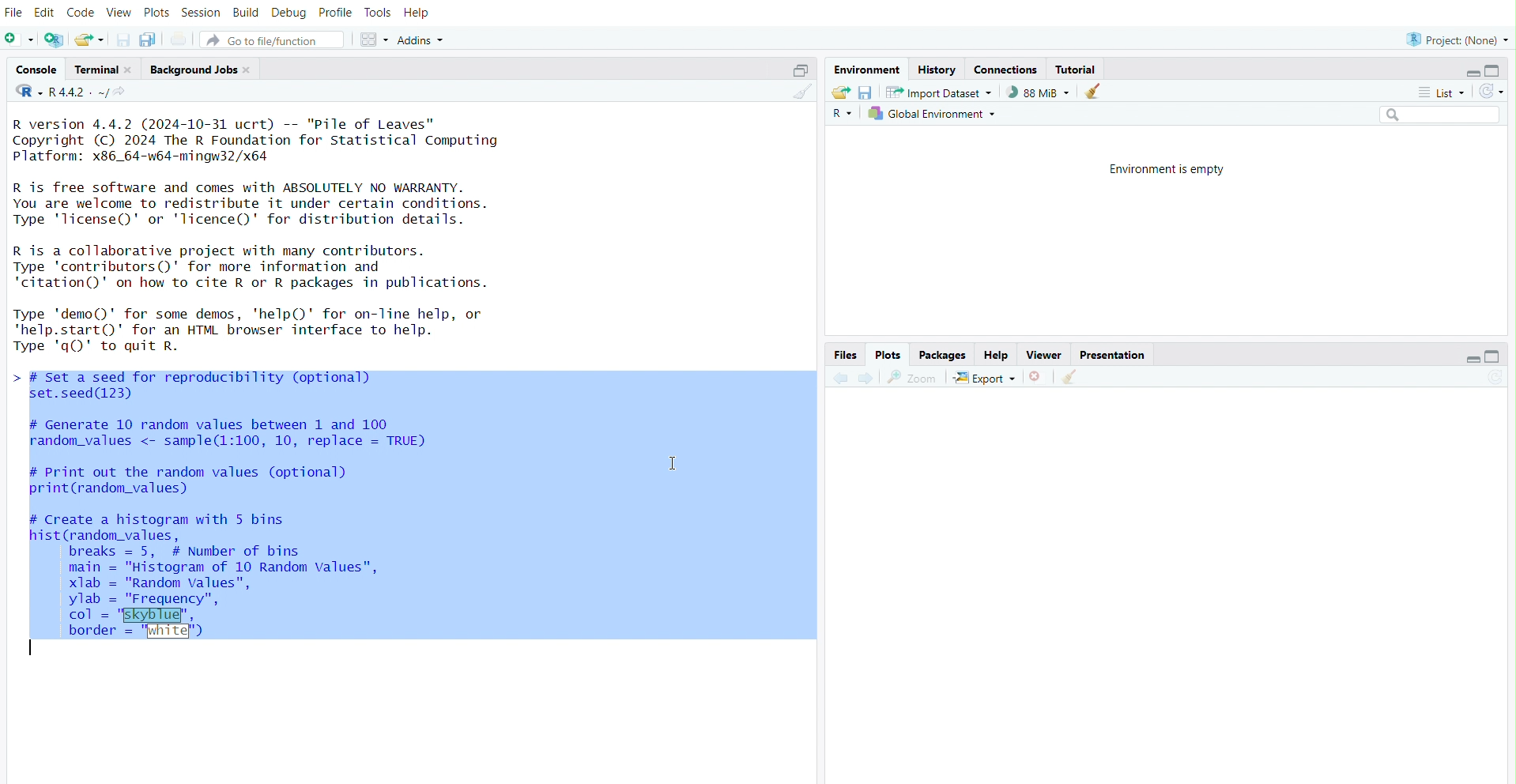 The width and height of the screenshot is (1516, 784). What do you see at coordinates (799, 67) in the screenshot?
I see `maximize` at bounding box center [799, 67].